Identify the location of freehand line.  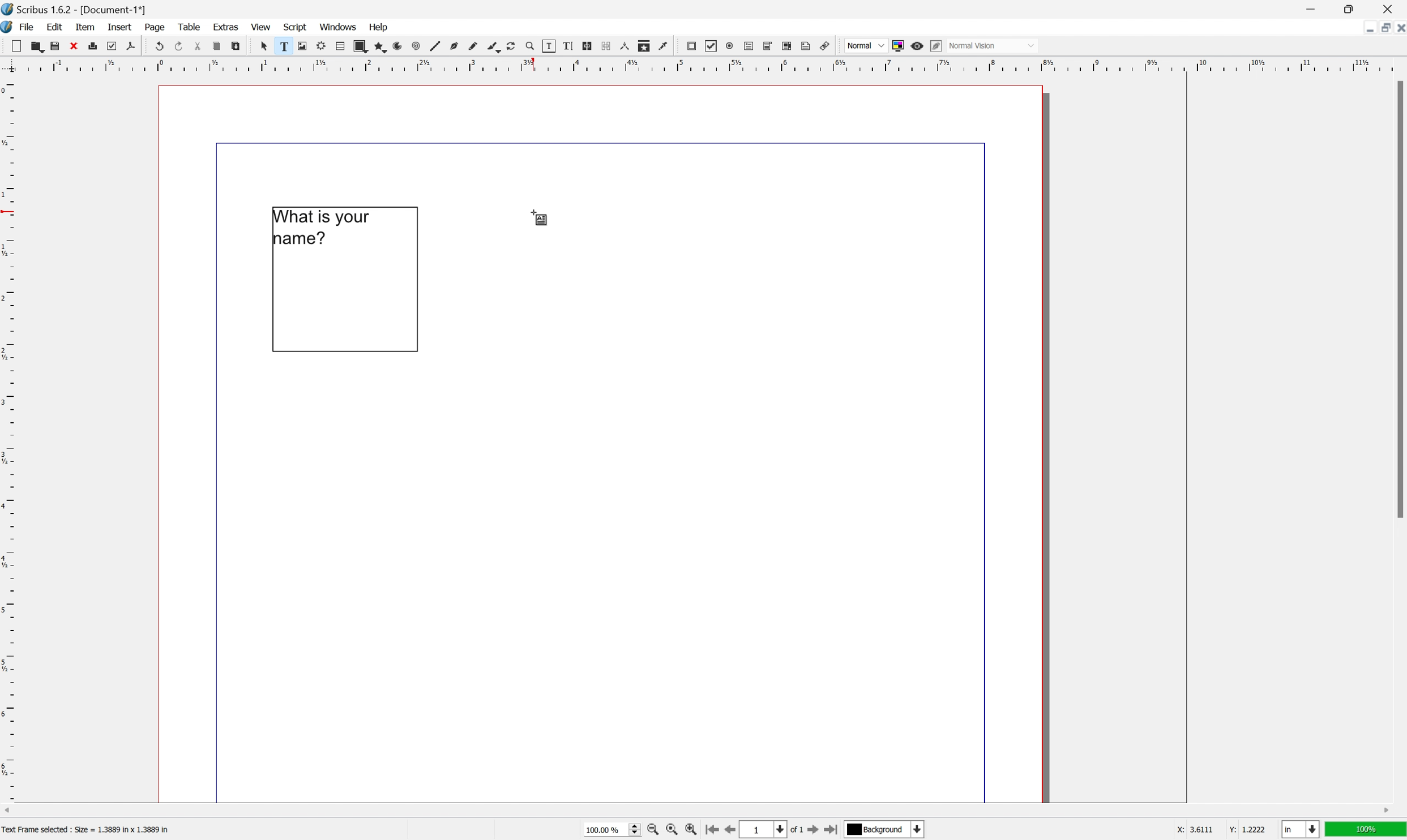
(474, 46).